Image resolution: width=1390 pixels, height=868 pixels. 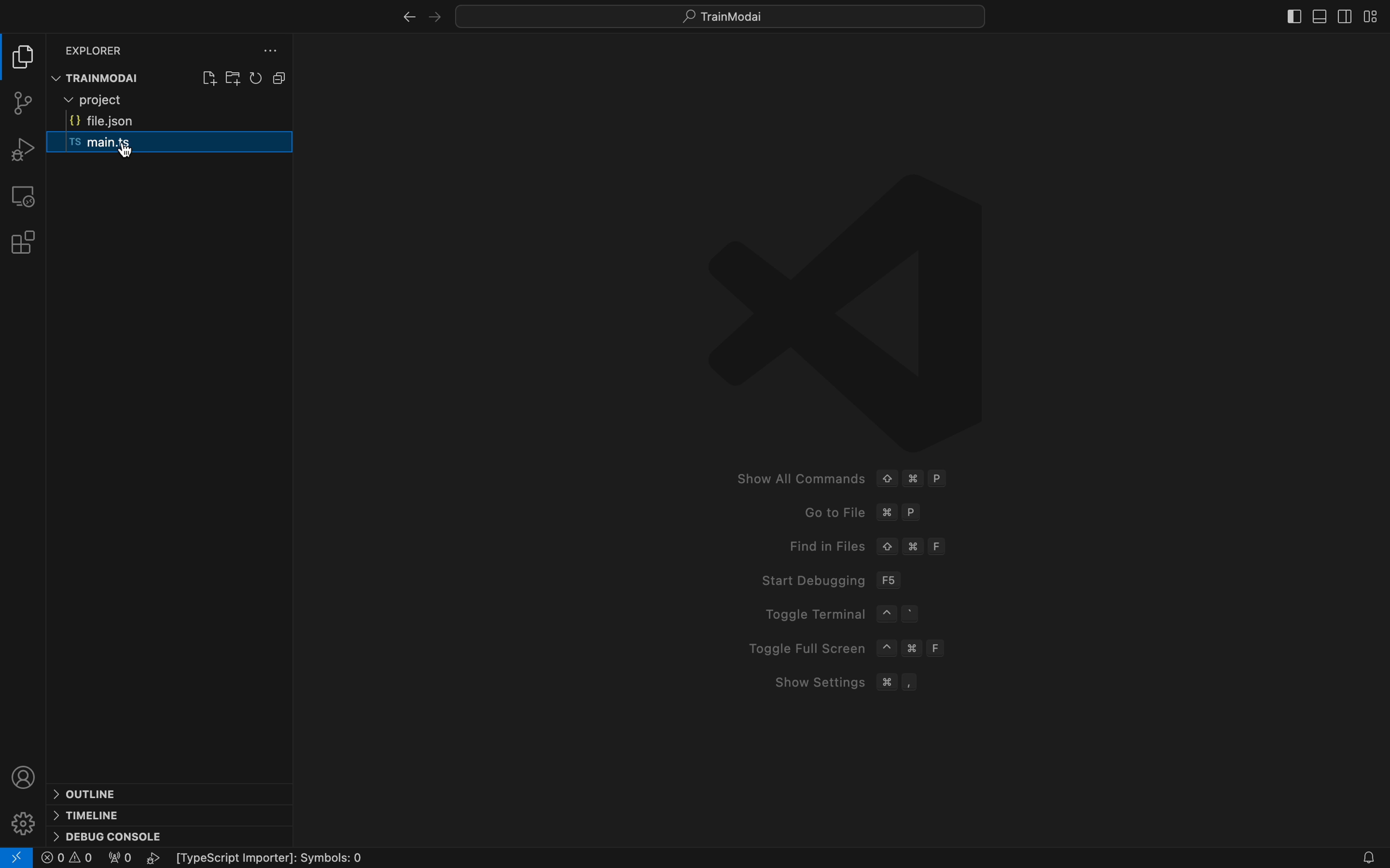 I want to click on Extensions, so click(x=25, y=243).